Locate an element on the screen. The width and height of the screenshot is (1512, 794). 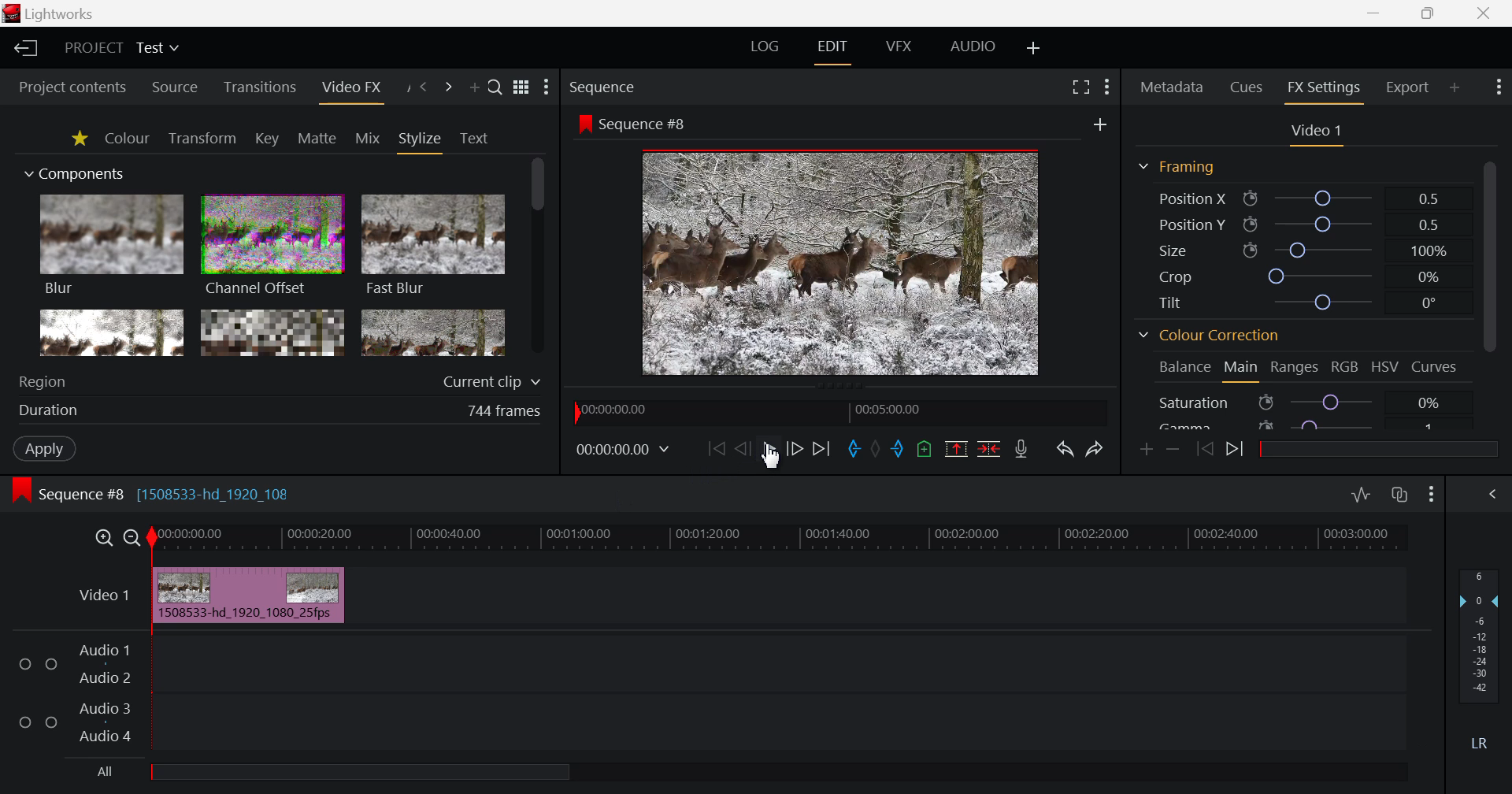
EDIT Layout is located at coordinates (831, 50).